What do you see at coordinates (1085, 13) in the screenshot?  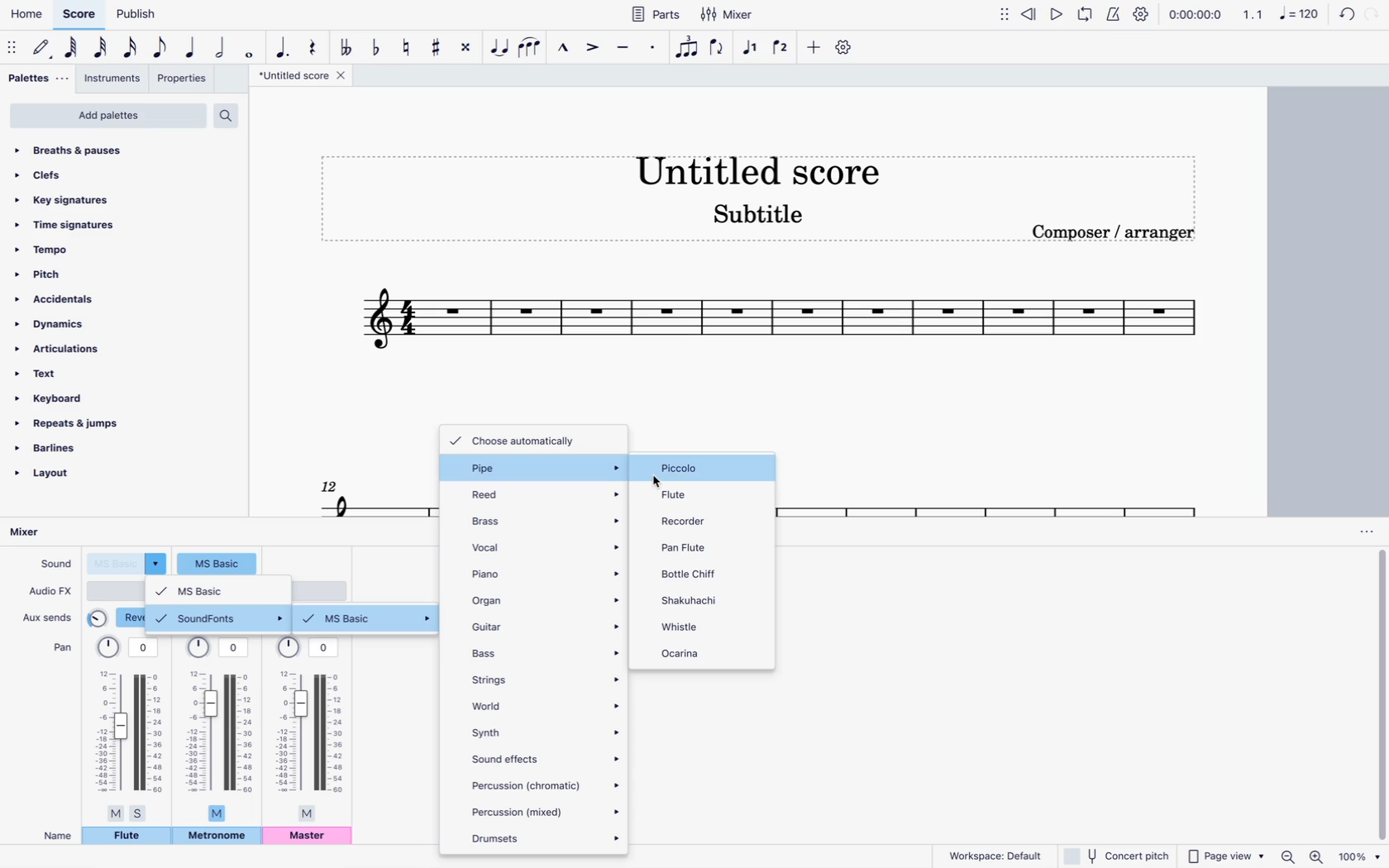 I see `loop playback` at bounding box center [1085, 13].